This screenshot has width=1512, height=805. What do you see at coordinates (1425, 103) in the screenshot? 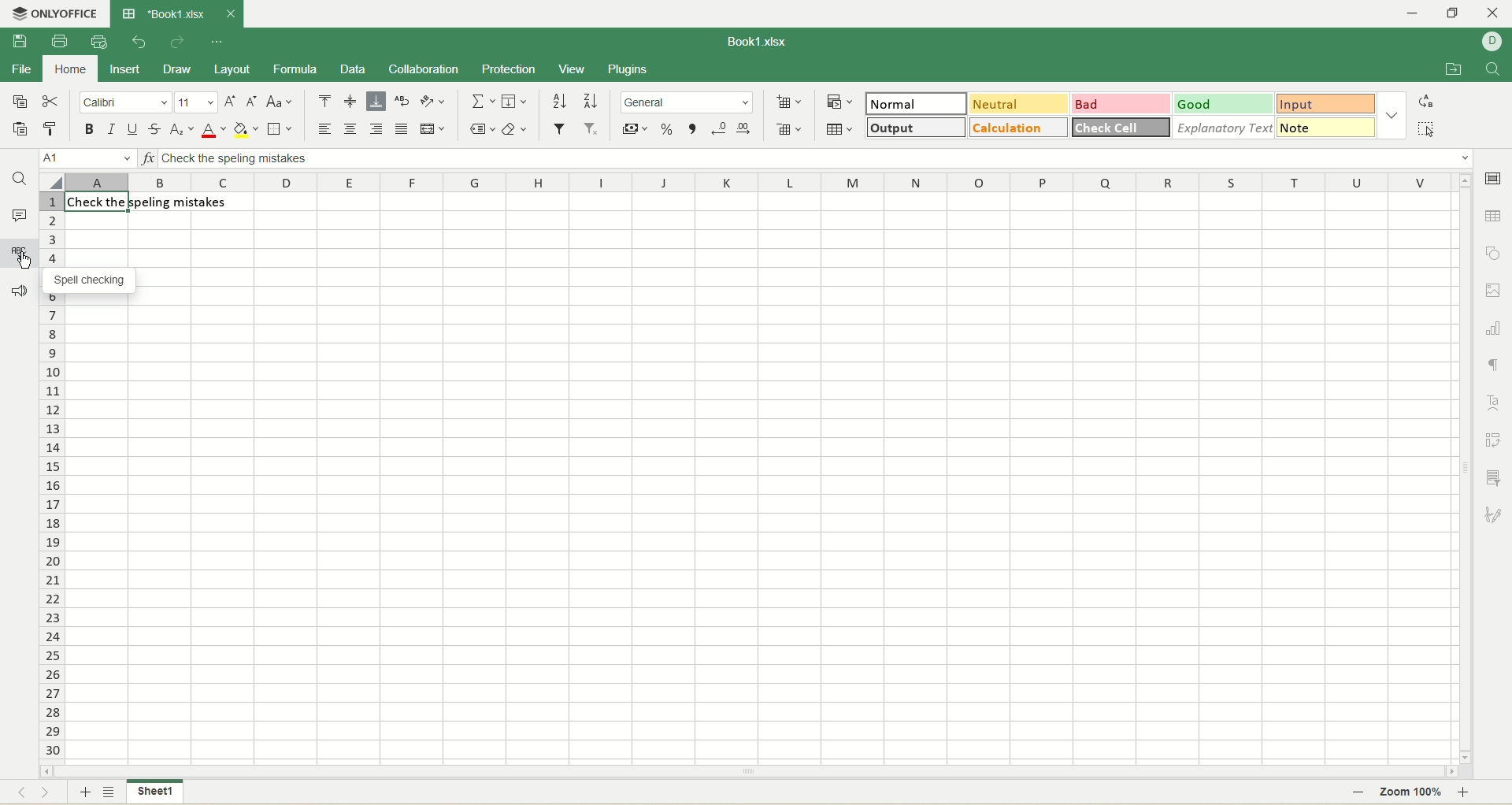
I see `replace` at bounding box center [1425, 103].